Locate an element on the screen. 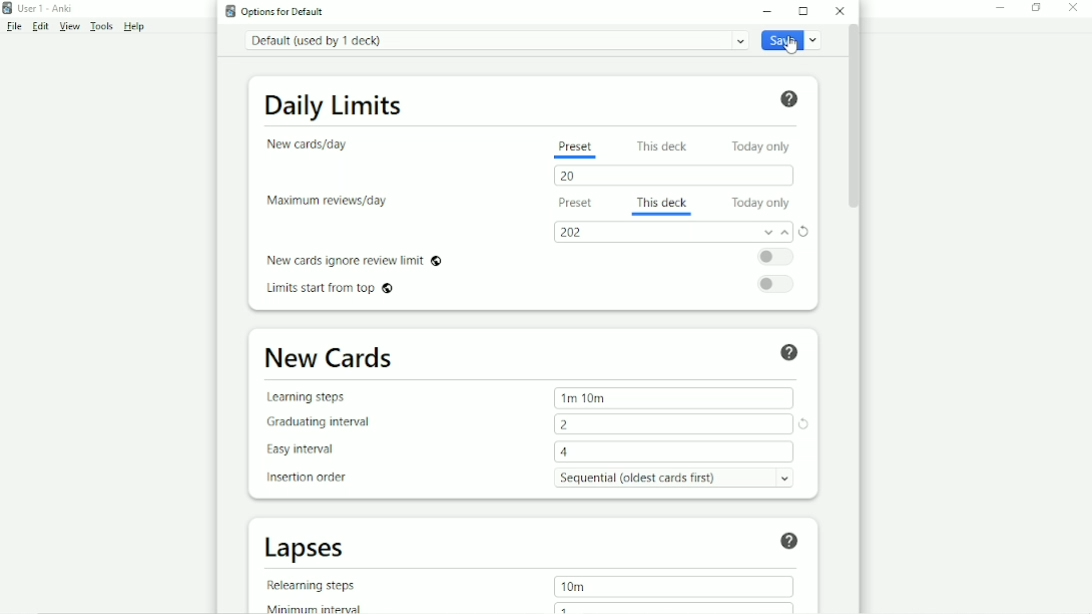  Today only is located at coordinates (762, 203).